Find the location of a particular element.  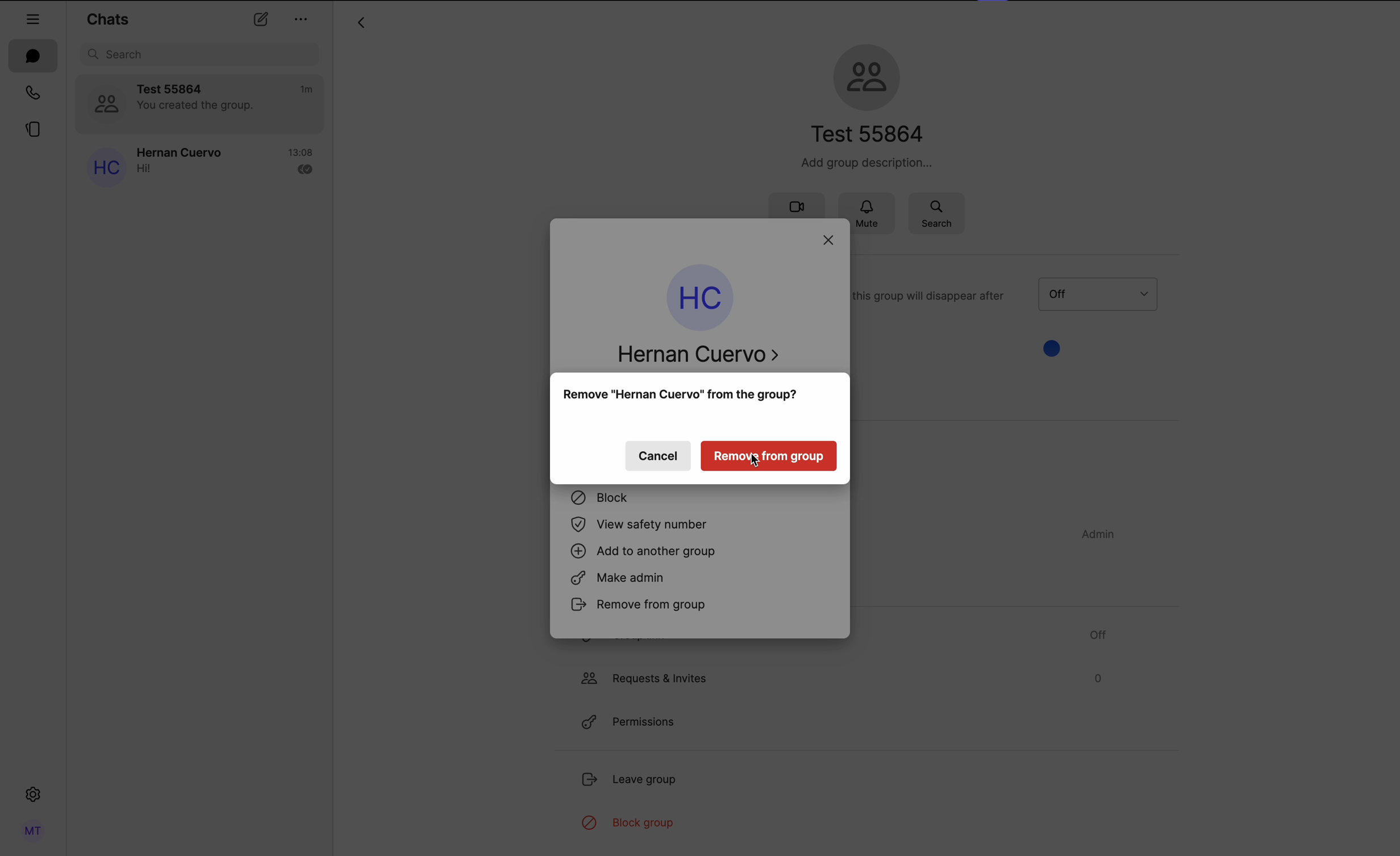

hide tabs is located at coordinates (34, 16).